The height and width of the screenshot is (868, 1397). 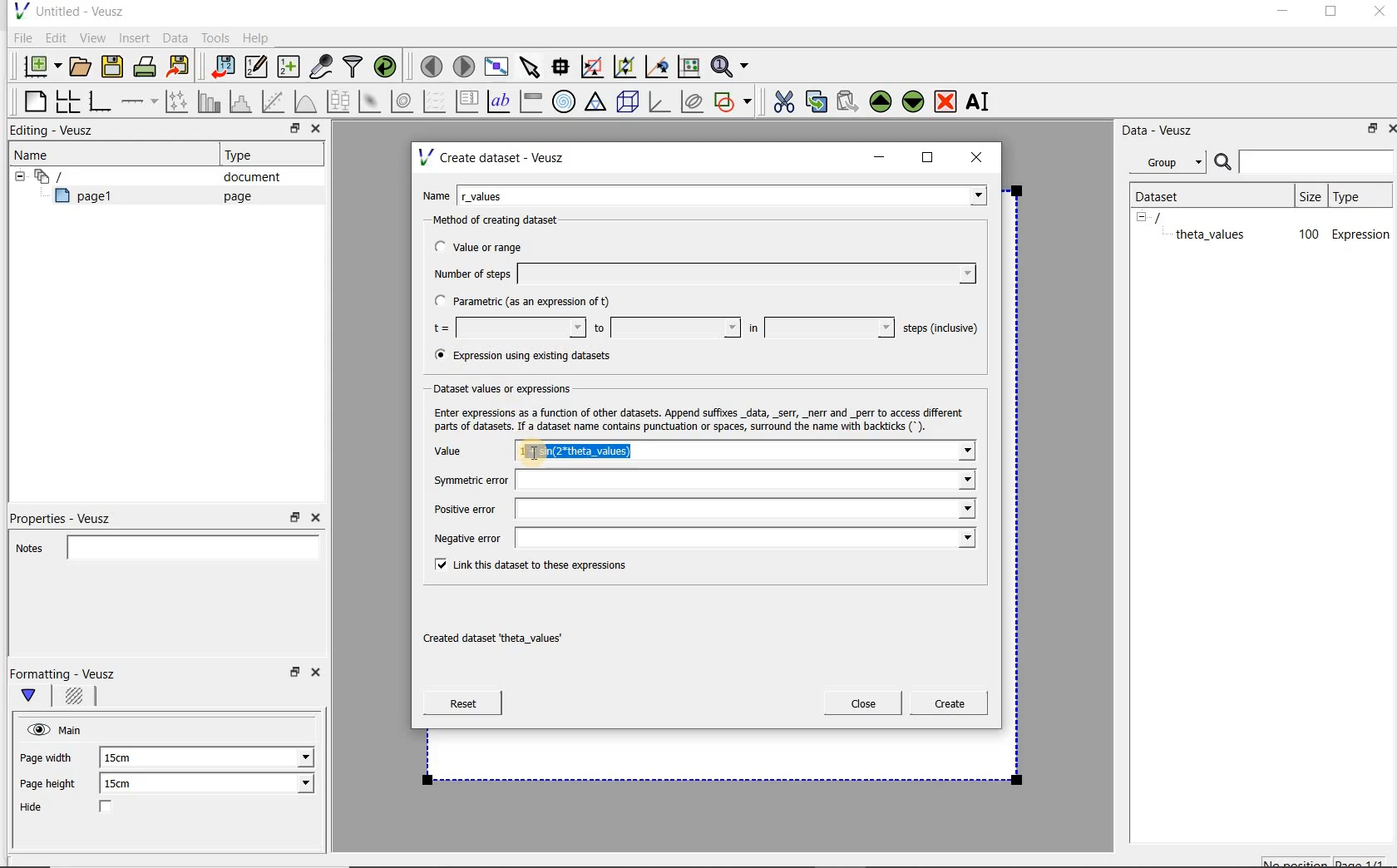 I want to click on close, so click(x=982, y=156).